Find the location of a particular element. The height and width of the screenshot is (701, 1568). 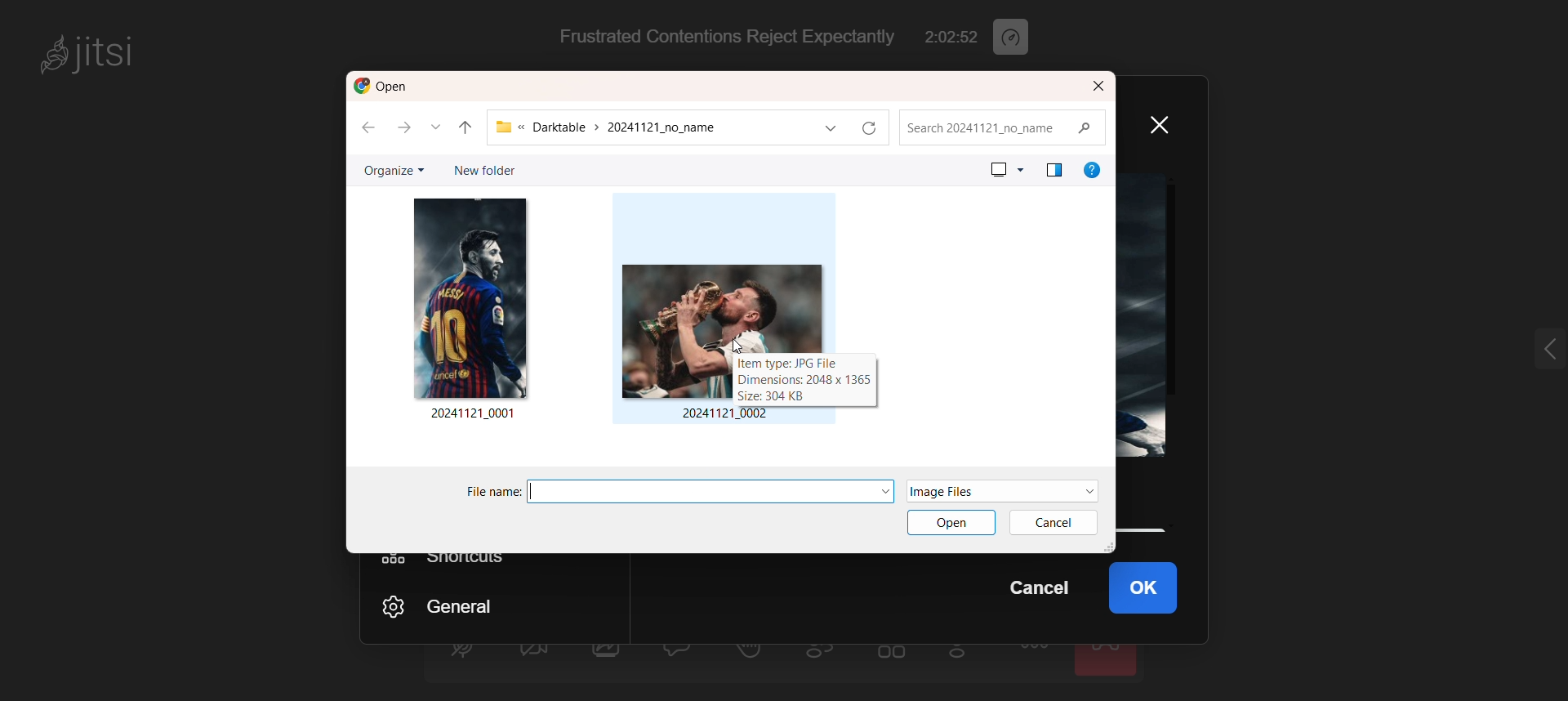

file name is located at coordinates (490, 493).